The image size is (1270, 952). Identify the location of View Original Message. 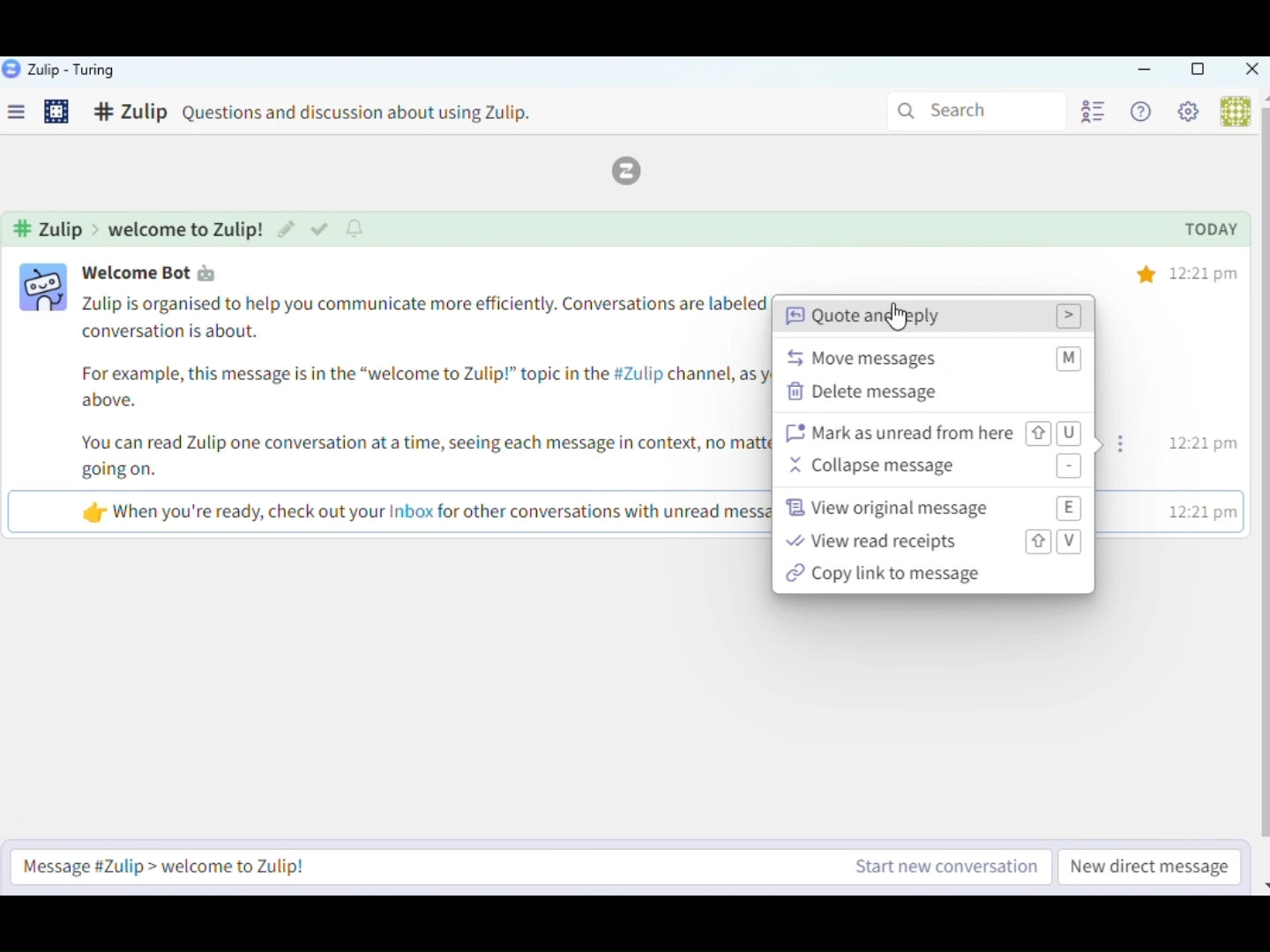
(931, 508).